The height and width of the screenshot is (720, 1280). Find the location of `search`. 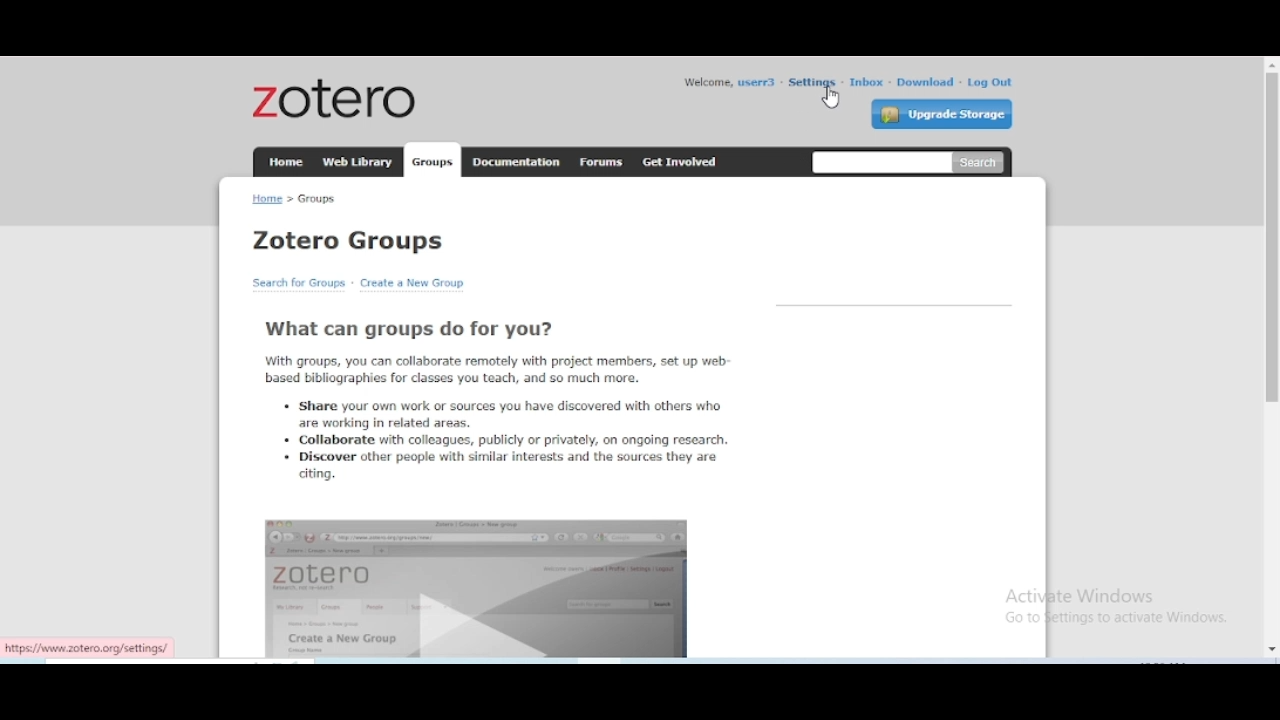

search is located at coordinates (982, 165).